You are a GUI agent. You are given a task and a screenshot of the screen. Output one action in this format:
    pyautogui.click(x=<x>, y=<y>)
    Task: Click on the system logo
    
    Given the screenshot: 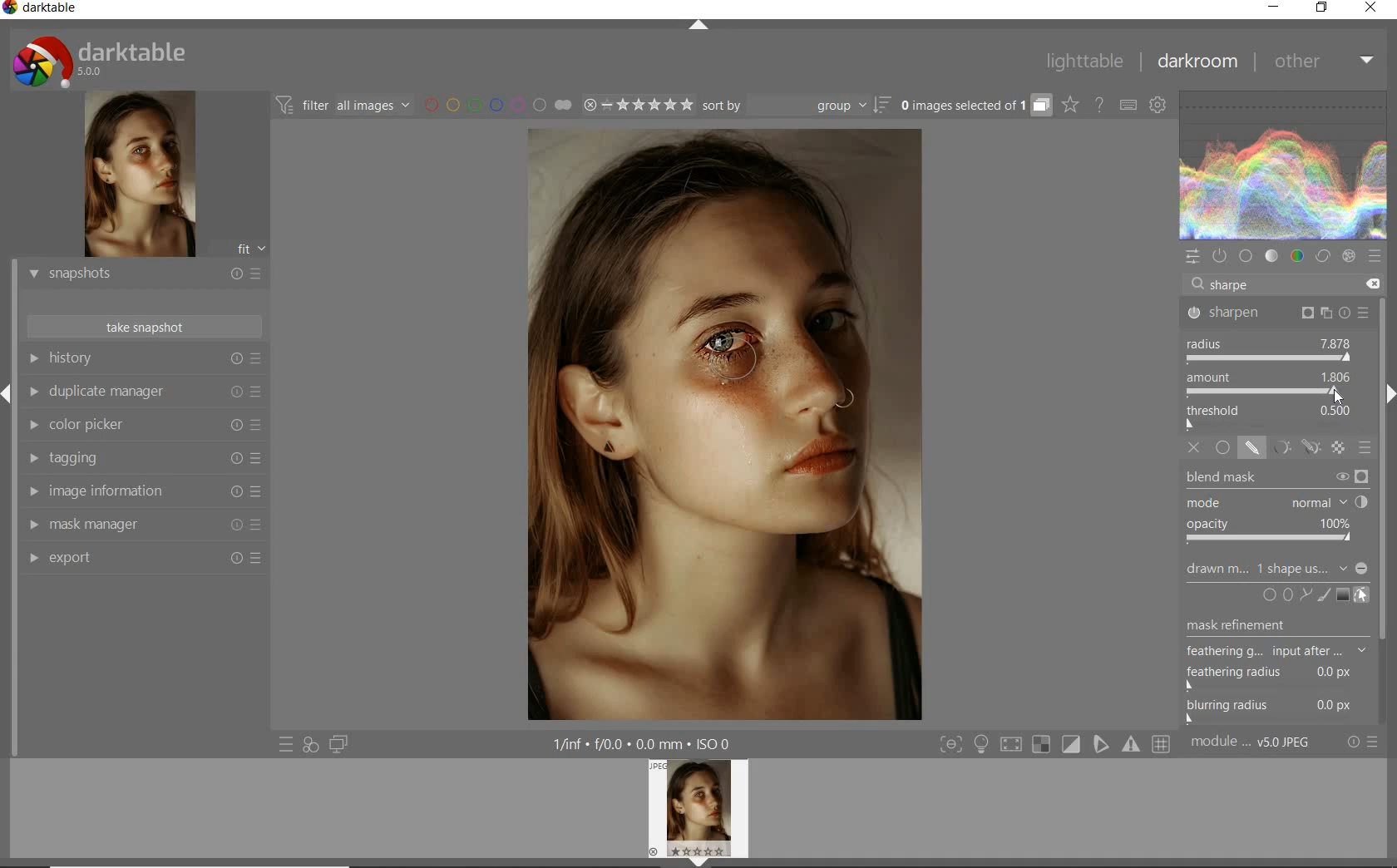 What is the action you would take?
    pyautogui.click(x=101, y=61)
    